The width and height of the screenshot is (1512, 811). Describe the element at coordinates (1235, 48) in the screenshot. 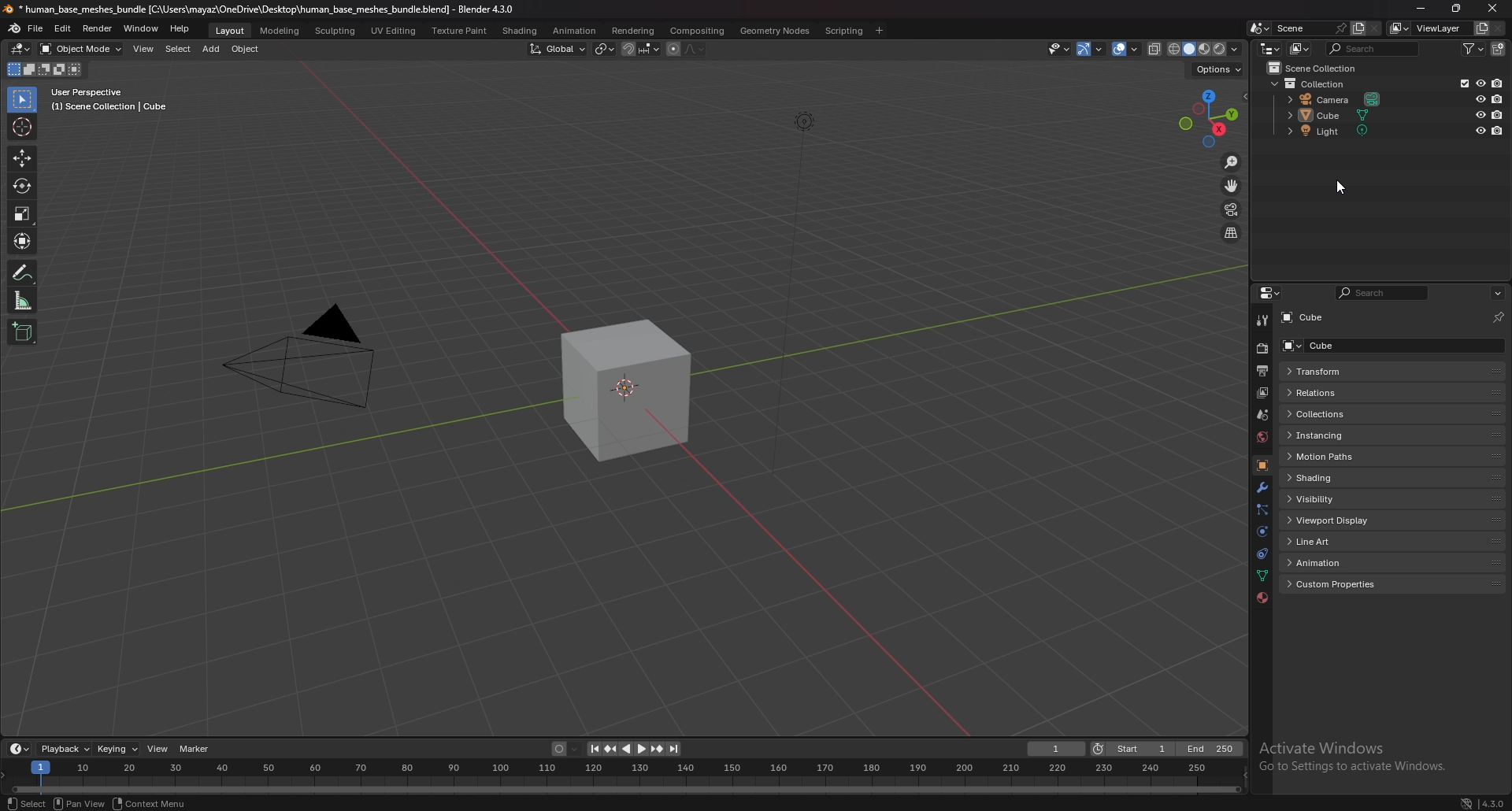

I see `shading` at that location.